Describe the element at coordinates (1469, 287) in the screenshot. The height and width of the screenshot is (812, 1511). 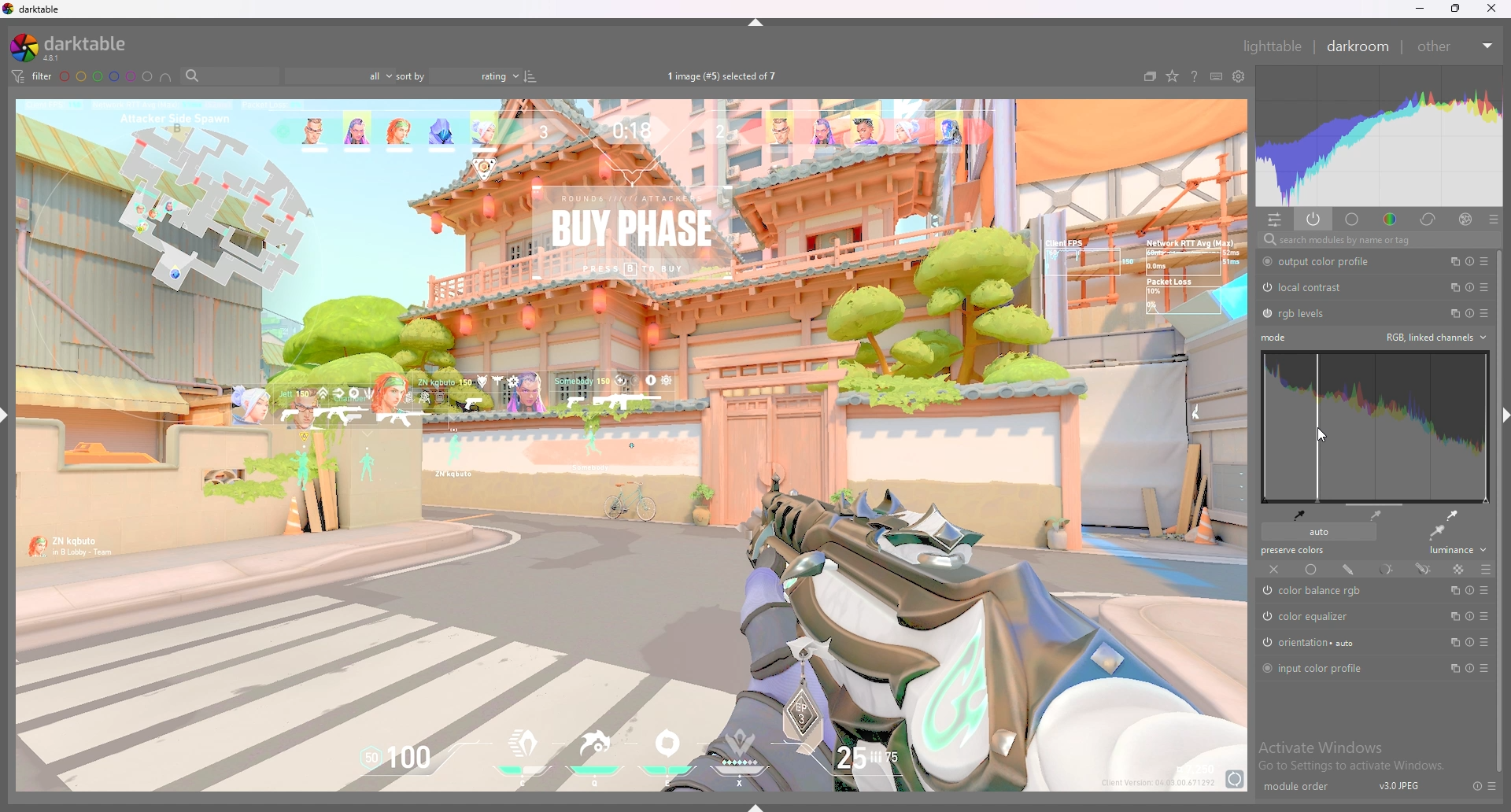
I see `reset` at that location.